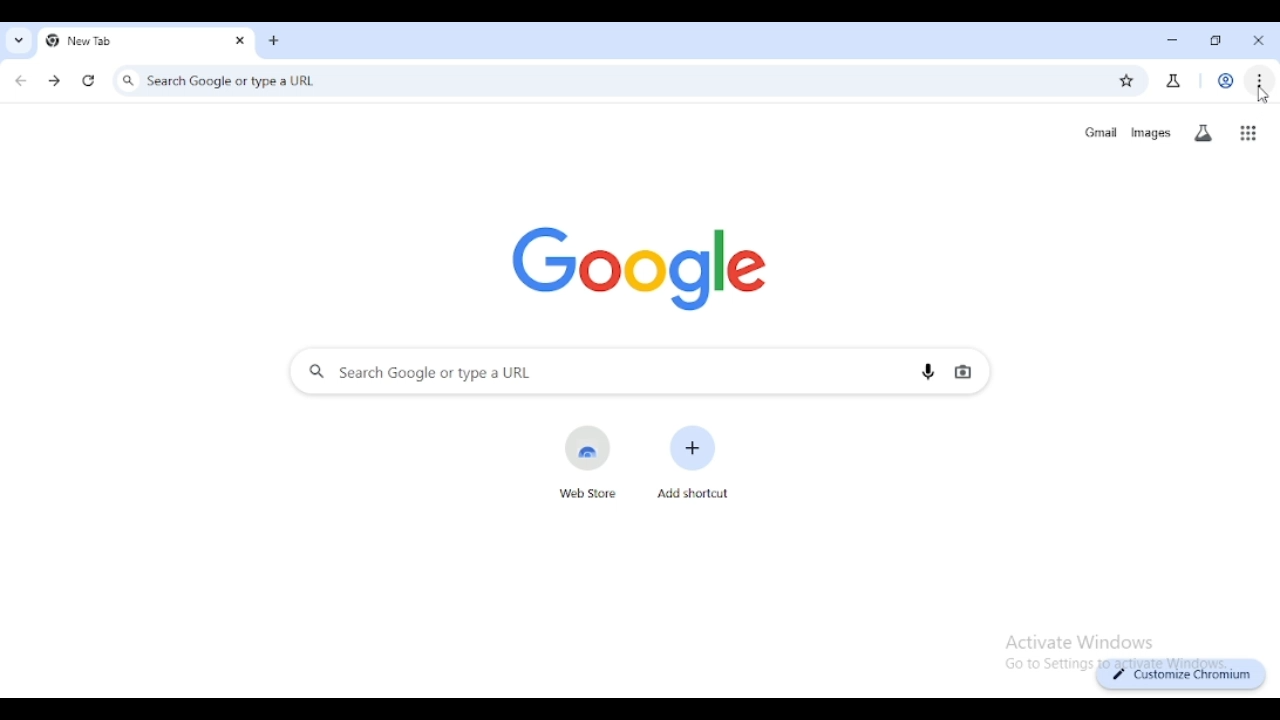 The height and width of the screenshot is (720, 1280). What do you see at coordinates (125, 40) in the screenshot?
I see `new tab` at bounding box center [125, 40].